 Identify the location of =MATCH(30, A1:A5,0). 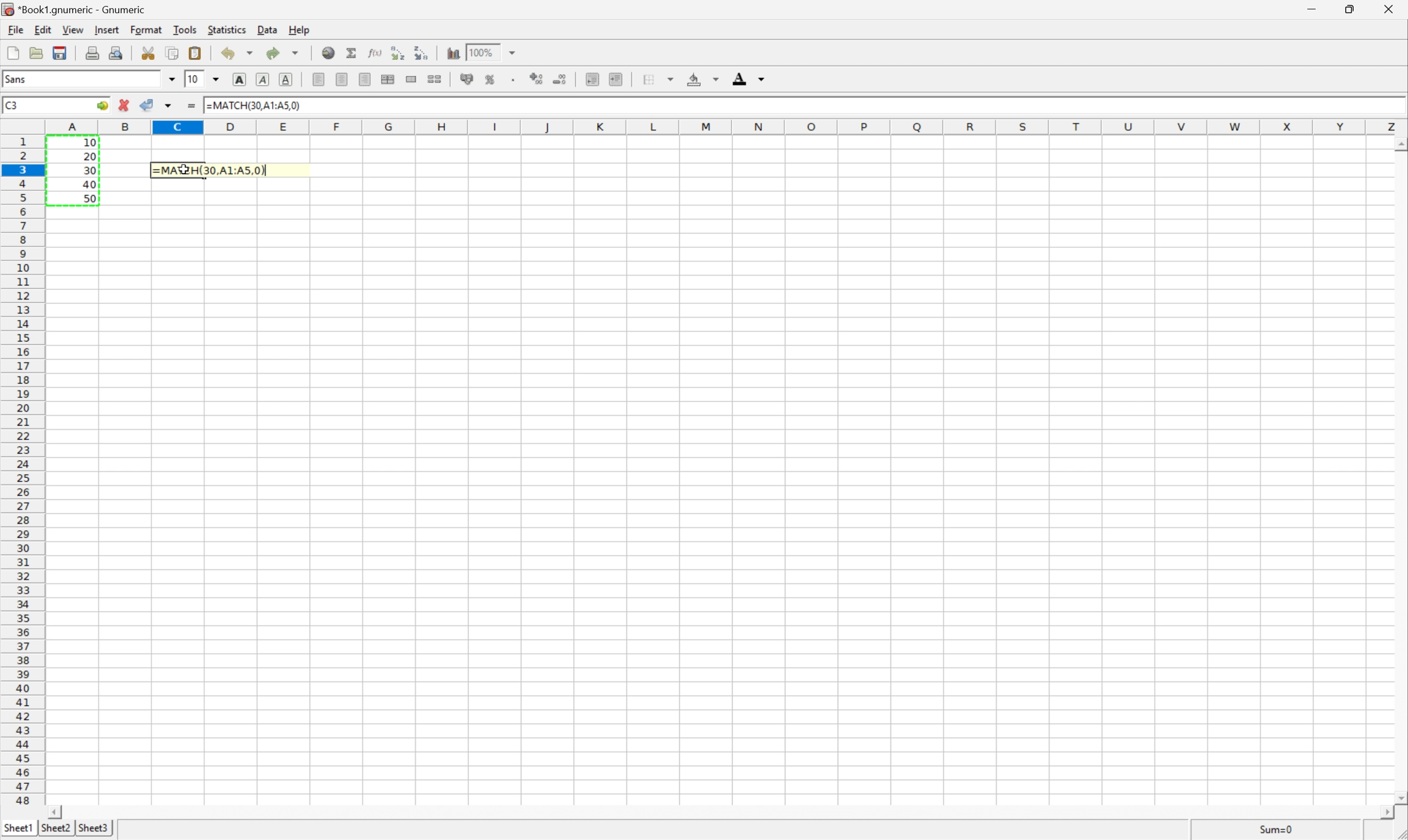
(254, 106).